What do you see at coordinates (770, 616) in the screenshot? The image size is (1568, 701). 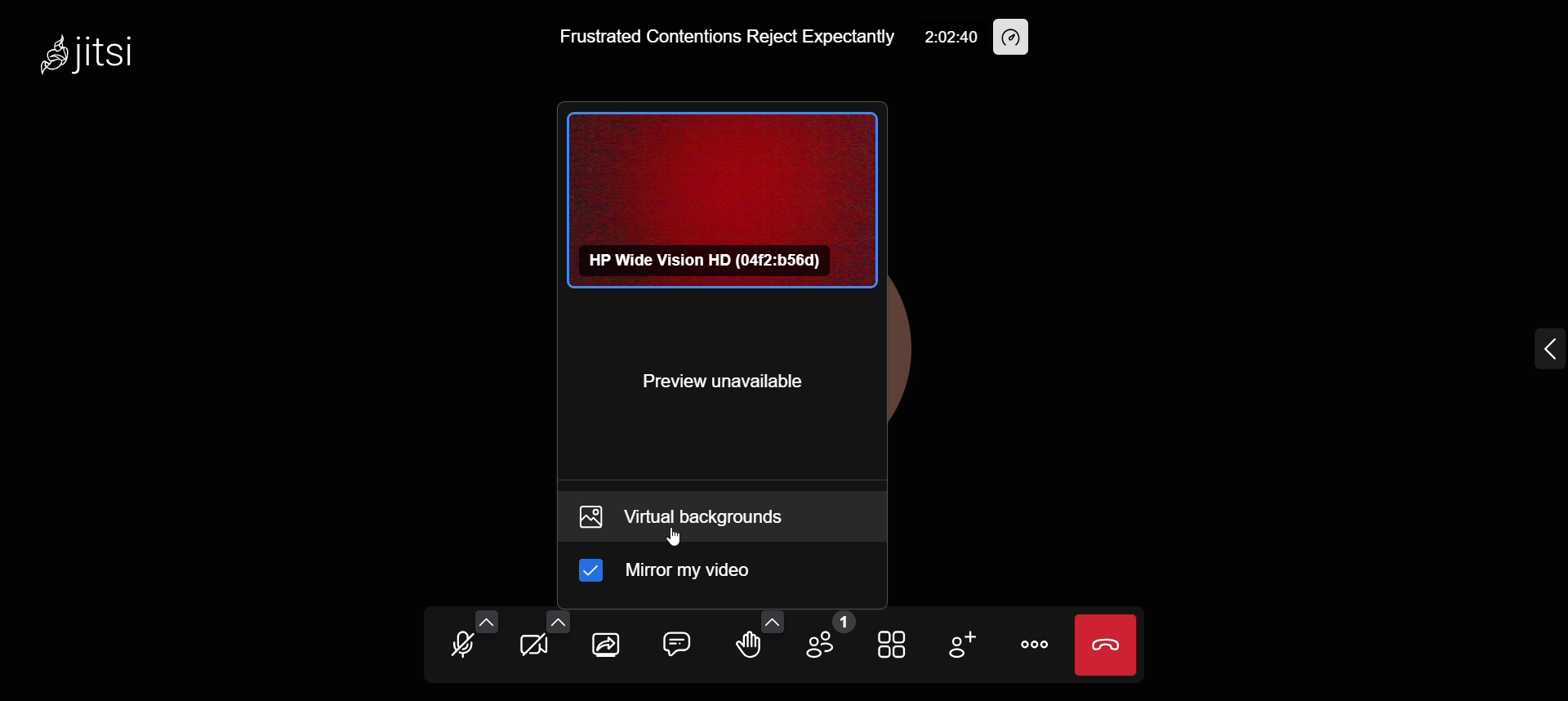 I see `more reaction` at bounding box center [770, 616].